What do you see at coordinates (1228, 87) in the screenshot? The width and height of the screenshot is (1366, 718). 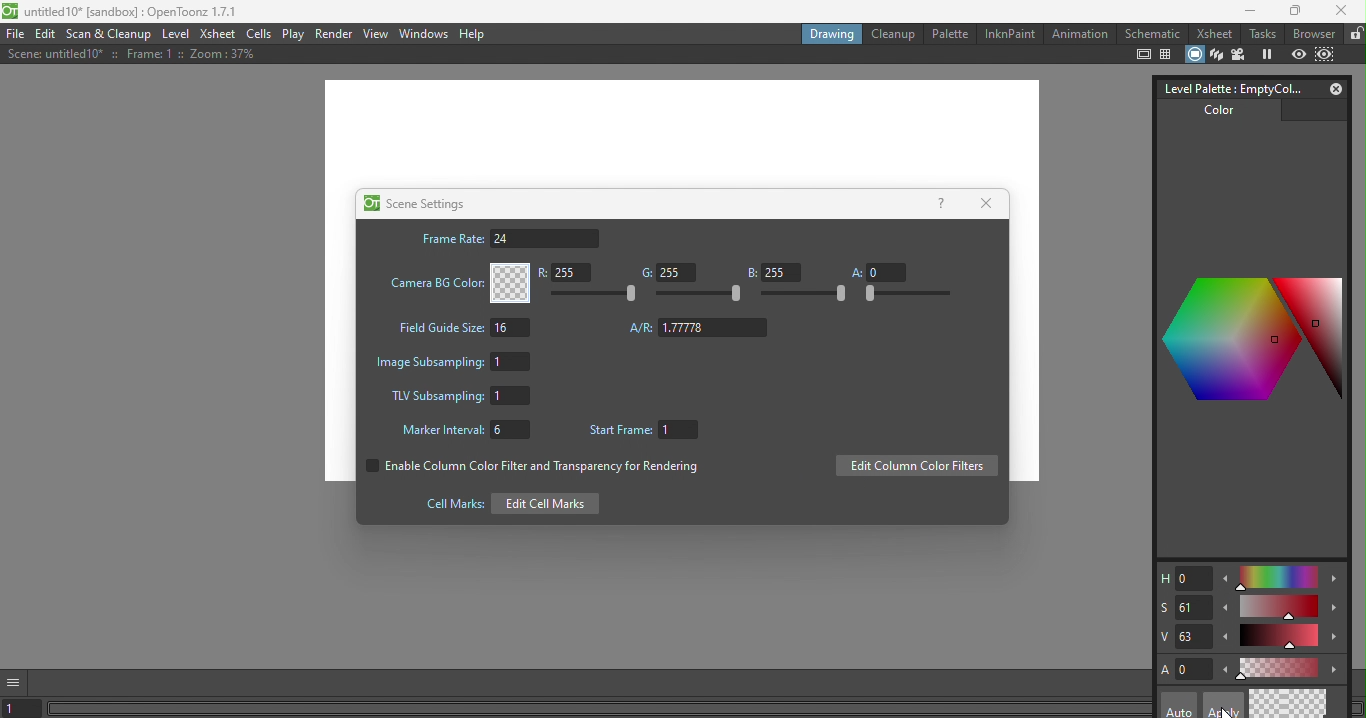 I see `Level palette` at bounding box center [1228, 87].